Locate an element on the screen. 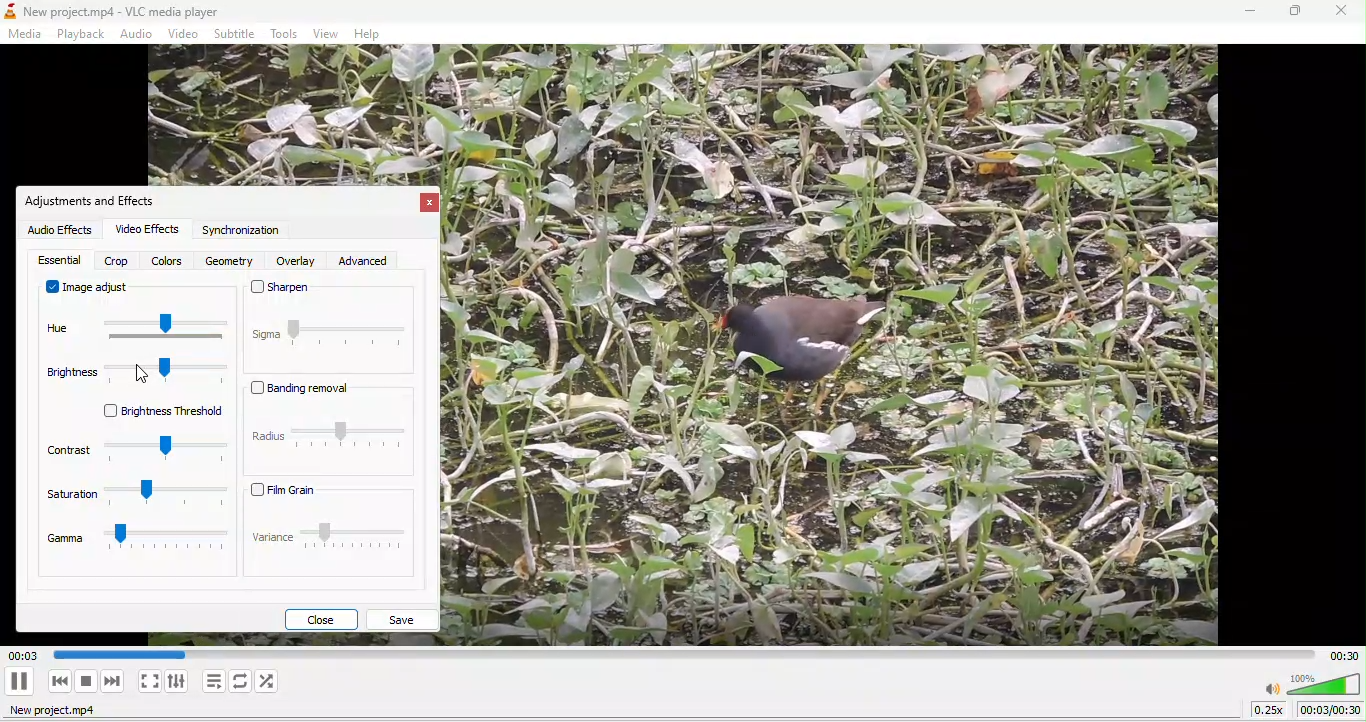 The image size is (1366, 722). toggle the video in fullscreen is located at coordinates (149, 681).